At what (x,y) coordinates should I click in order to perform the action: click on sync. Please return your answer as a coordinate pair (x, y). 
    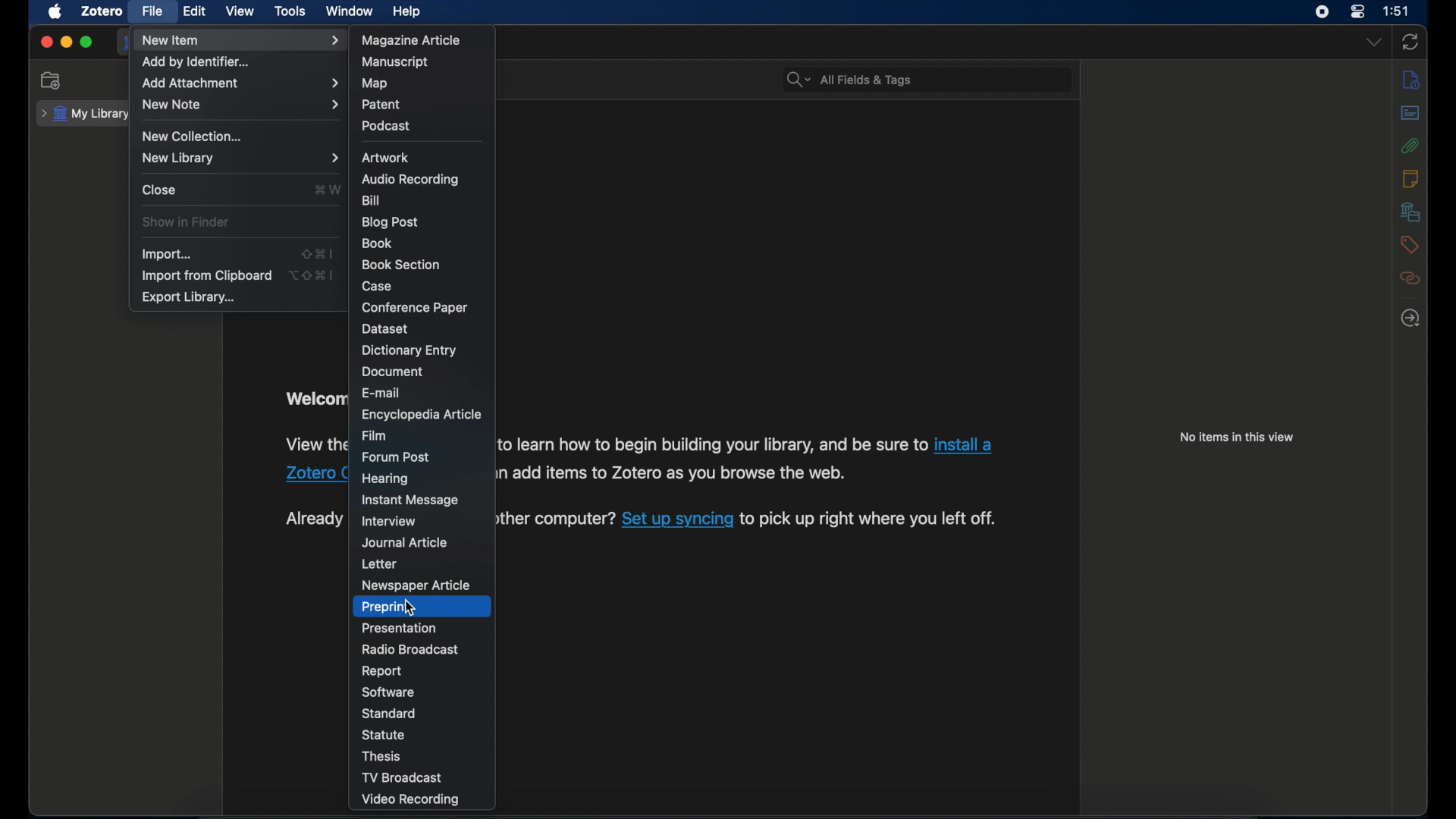
    Looking at the image, I should click on (1409, 42).